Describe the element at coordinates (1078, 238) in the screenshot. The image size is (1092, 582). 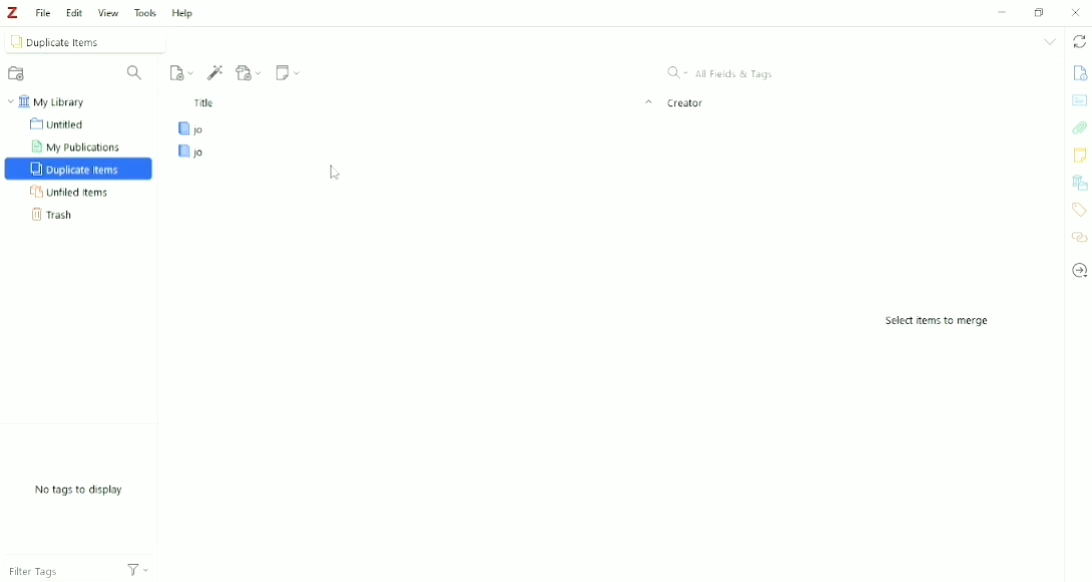
I see `Related` at that location.